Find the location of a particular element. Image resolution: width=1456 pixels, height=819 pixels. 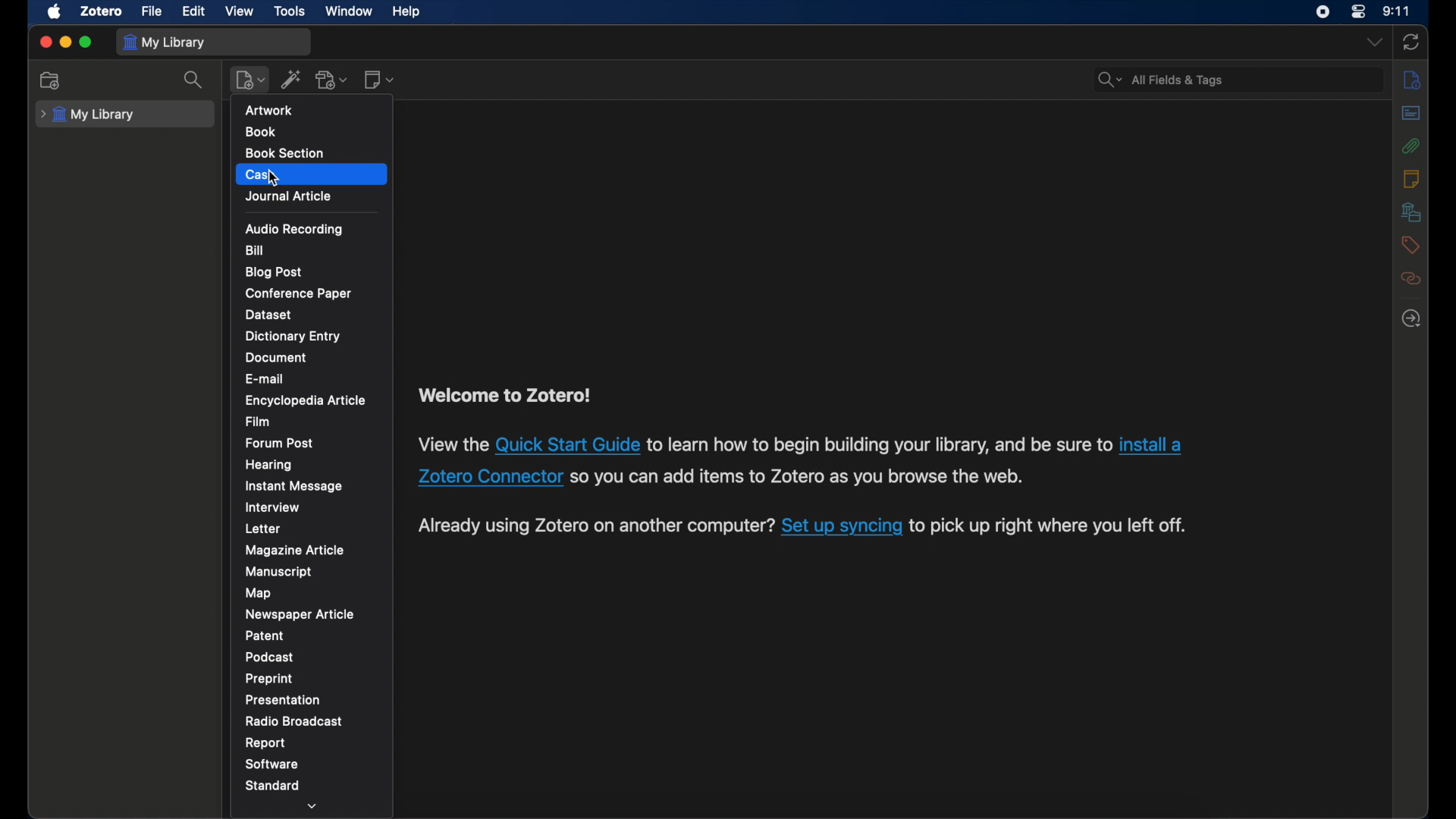

preprint is located at coordinates (270, 679).